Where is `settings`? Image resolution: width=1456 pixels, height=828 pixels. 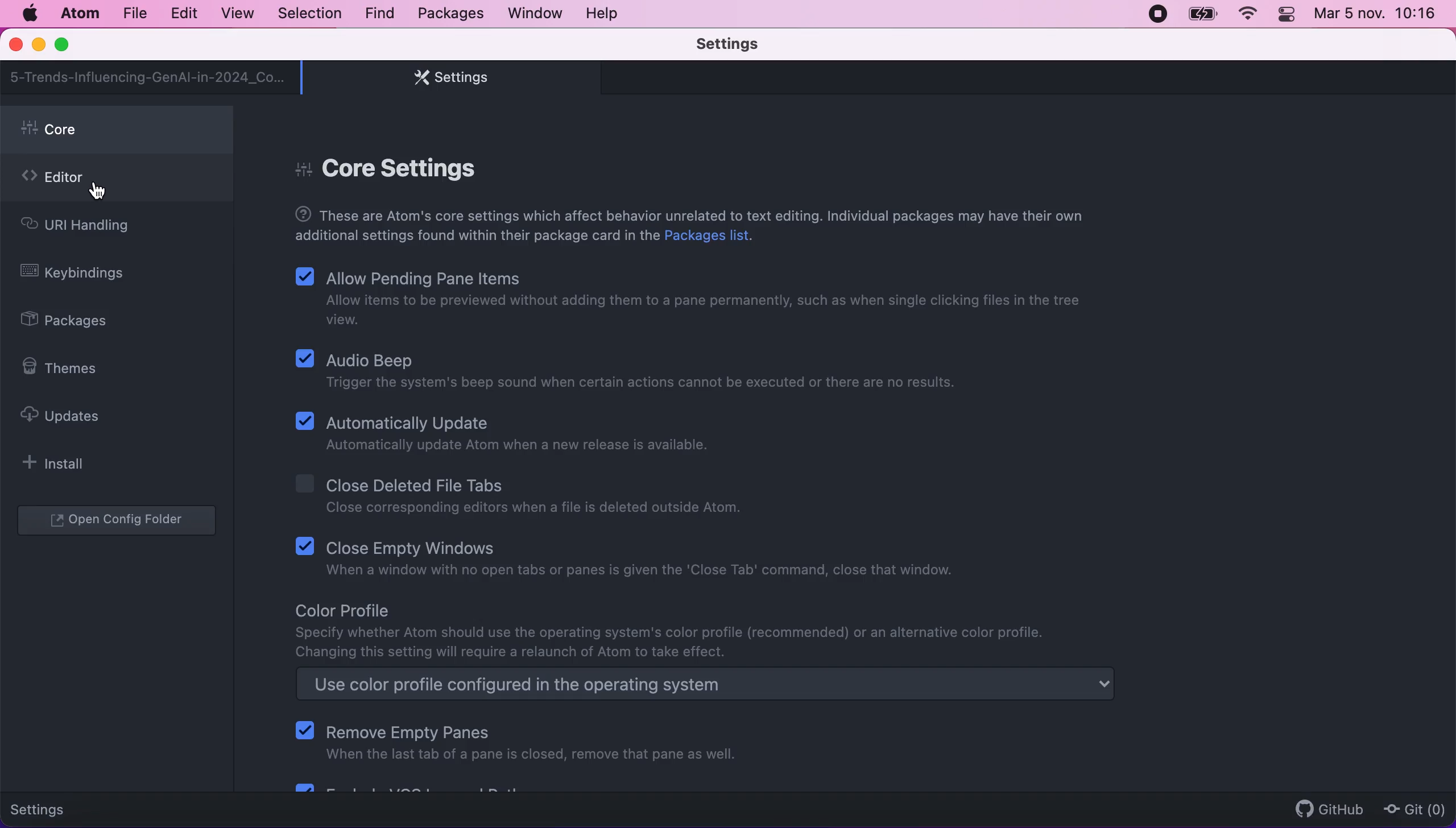 settings is located at coordinates (744, 45).